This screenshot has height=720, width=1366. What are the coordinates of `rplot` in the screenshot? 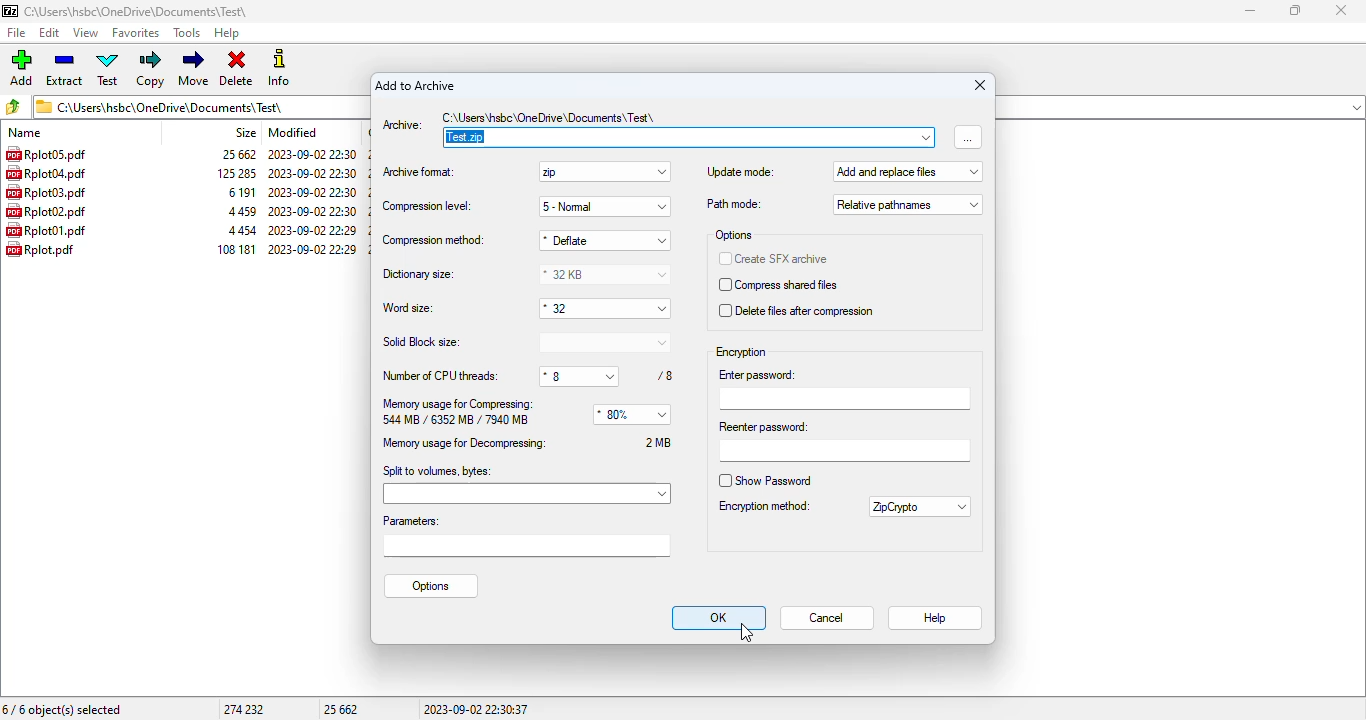 It's located at (41, 249).